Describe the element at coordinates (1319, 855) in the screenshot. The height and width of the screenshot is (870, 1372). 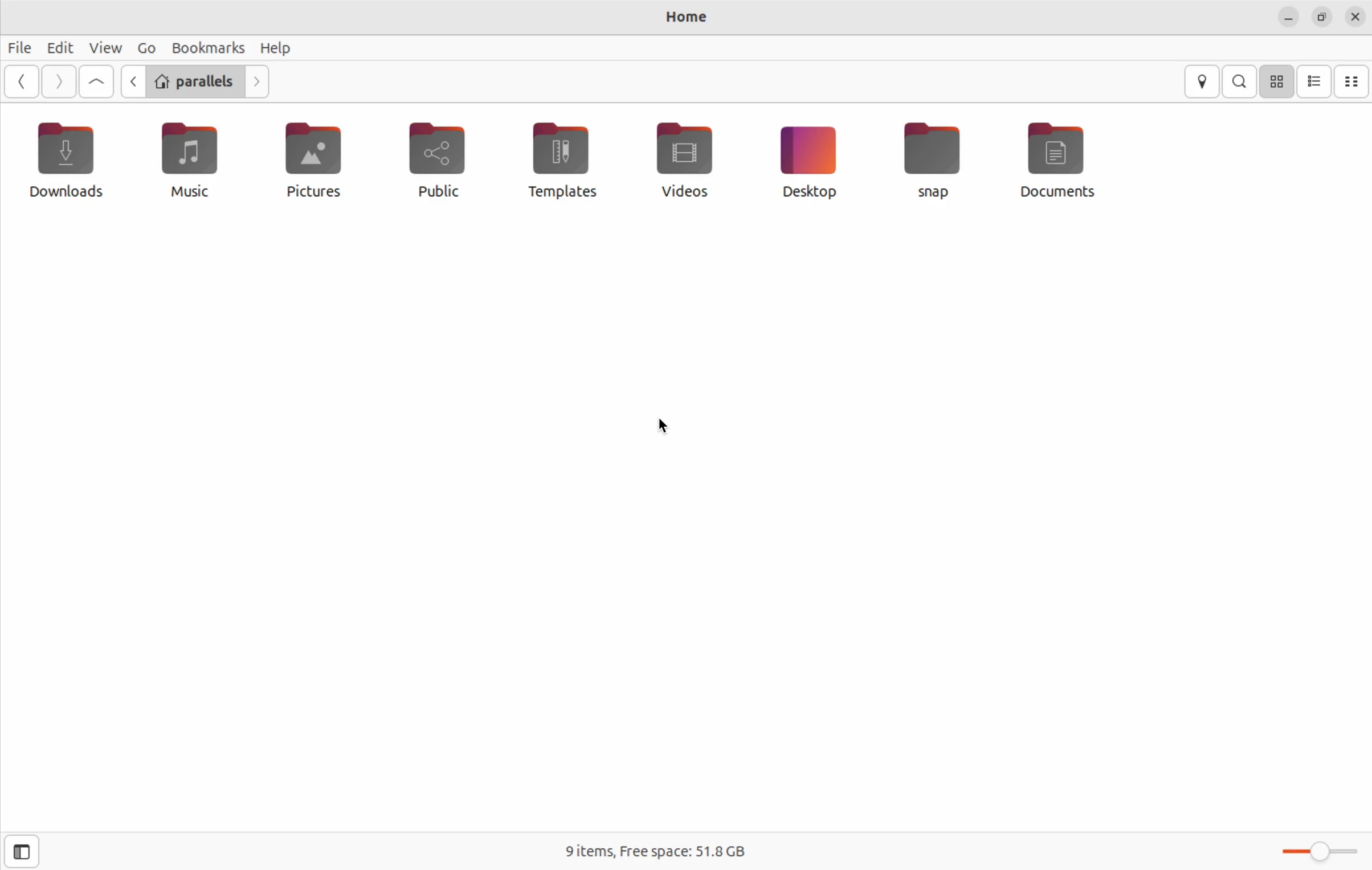
I see `toggle bar` at that location.